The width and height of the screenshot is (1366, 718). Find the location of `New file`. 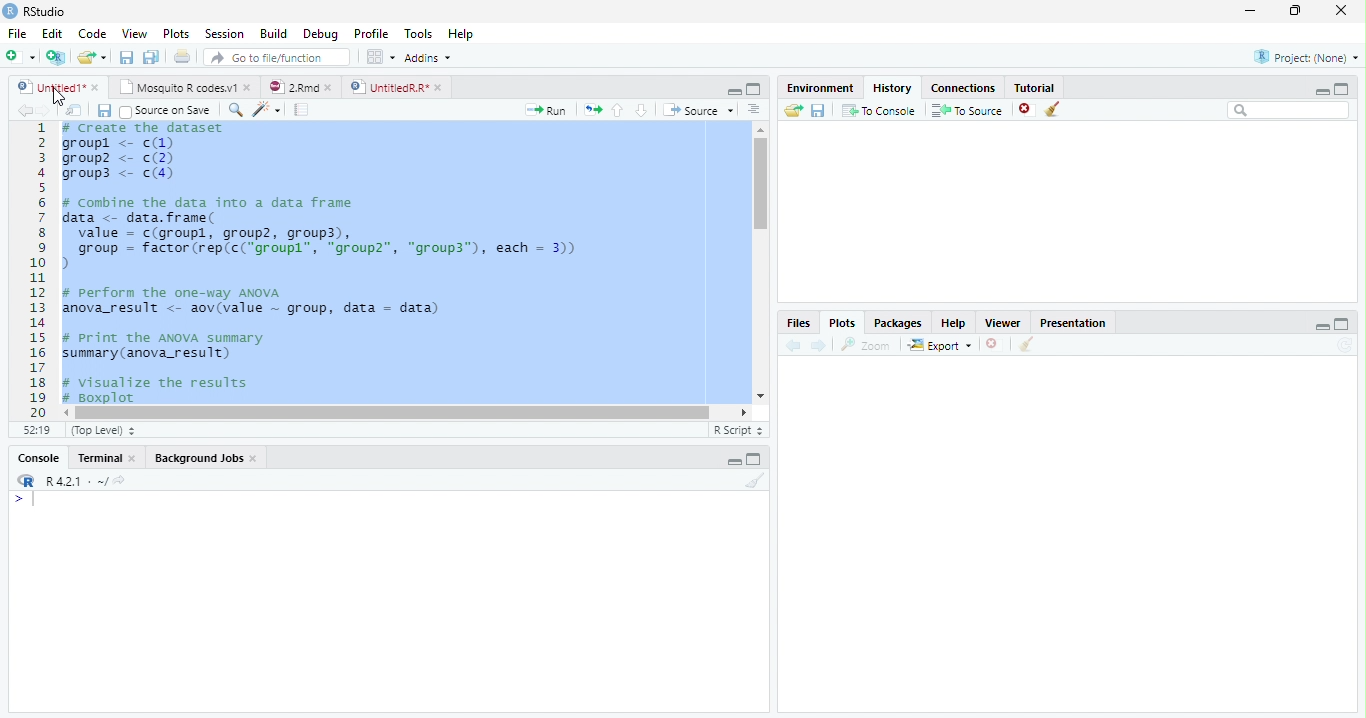

New file is located at coordinates (19, 56).